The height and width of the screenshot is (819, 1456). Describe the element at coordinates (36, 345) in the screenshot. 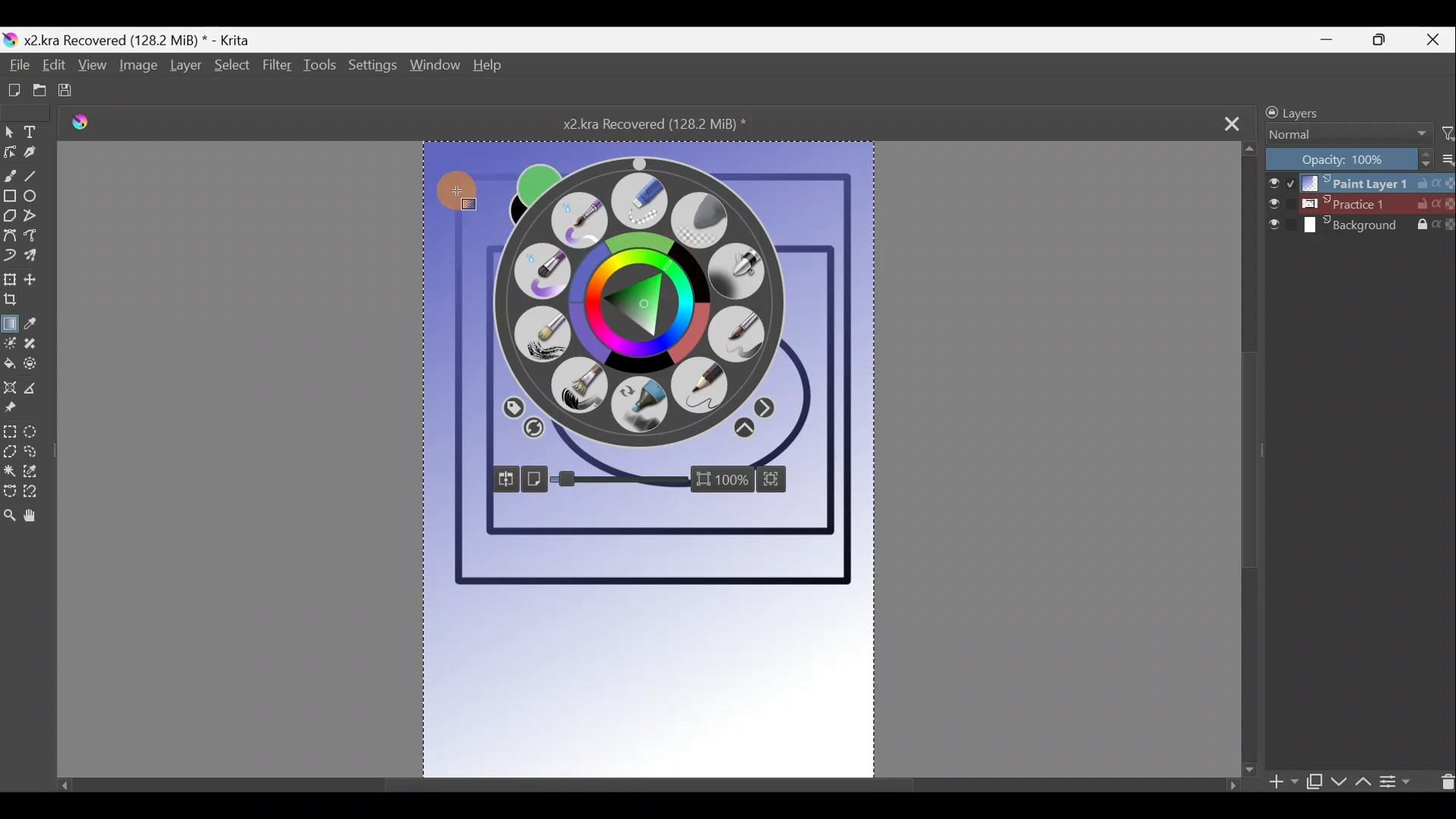

I see `Smart patch tool` at that location.